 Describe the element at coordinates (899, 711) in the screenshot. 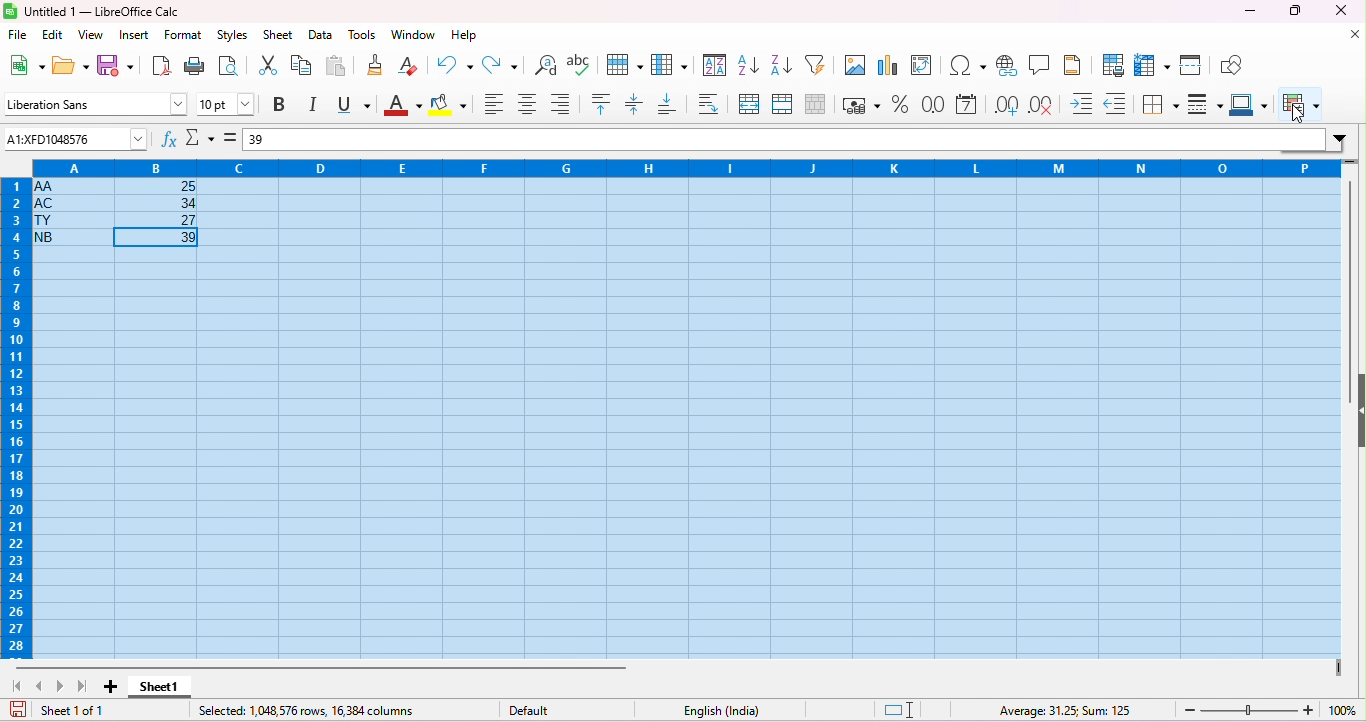

I see `standard selection` at that location.